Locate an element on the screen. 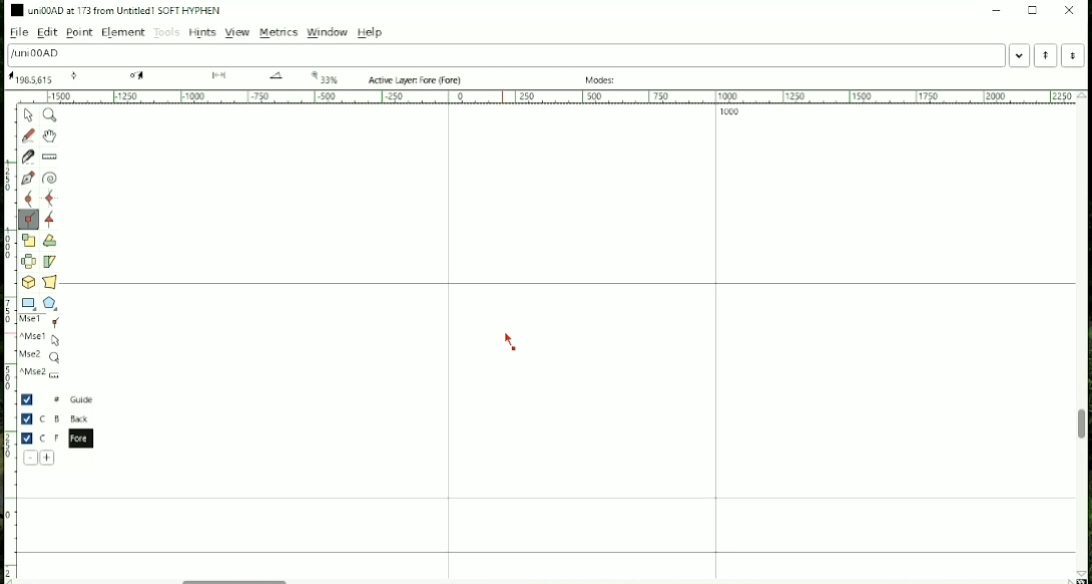 The width and height of the screenshot is (1092, 584). Next Word is located at coordinates (1076, 55).